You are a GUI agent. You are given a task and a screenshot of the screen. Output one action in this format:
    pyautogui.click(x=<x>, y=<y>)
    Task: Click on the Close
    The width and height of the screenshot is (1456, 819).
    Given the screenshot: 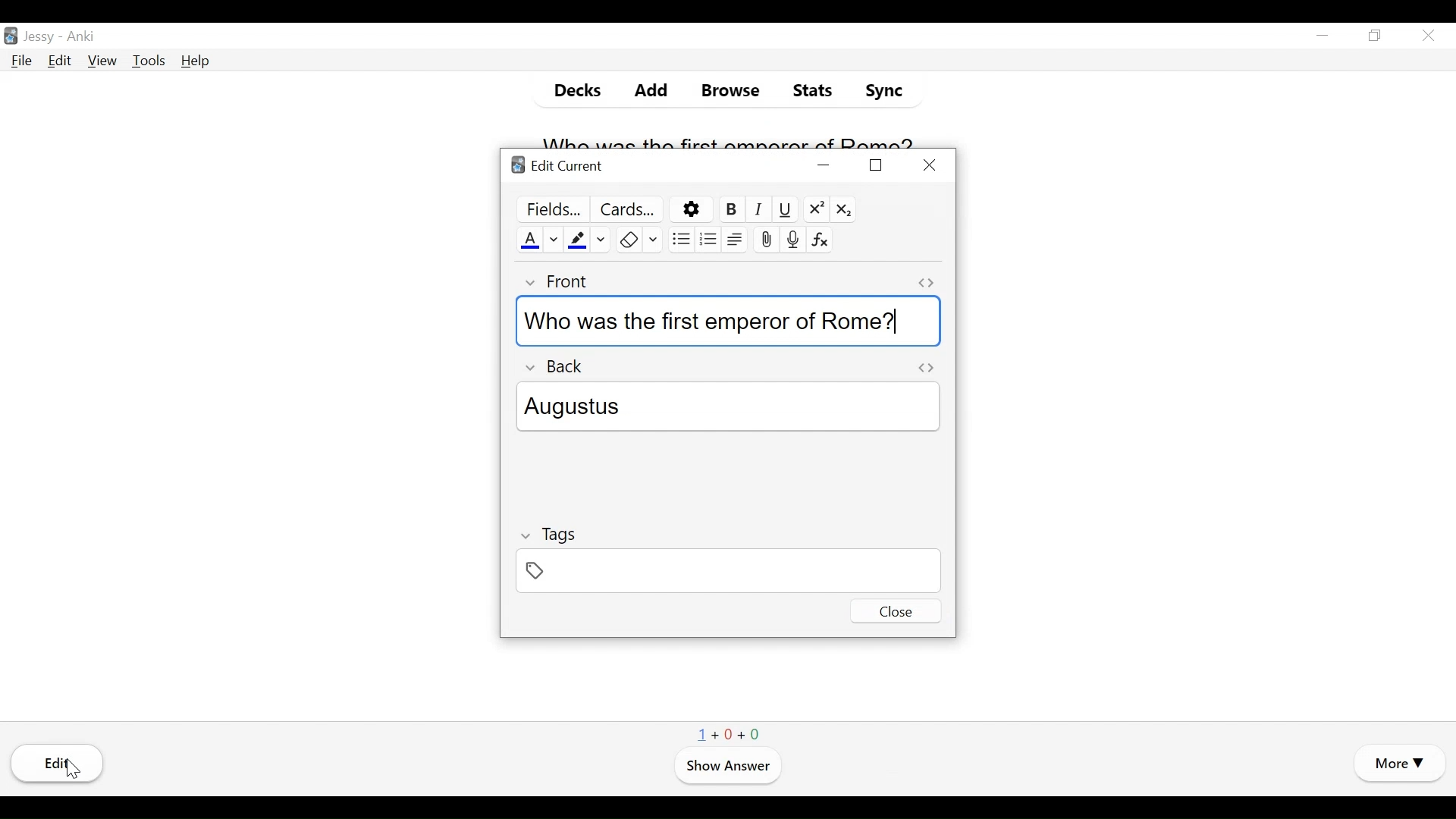 What is the action you would take?
    pyautogui.click(x=929, y=165)
    